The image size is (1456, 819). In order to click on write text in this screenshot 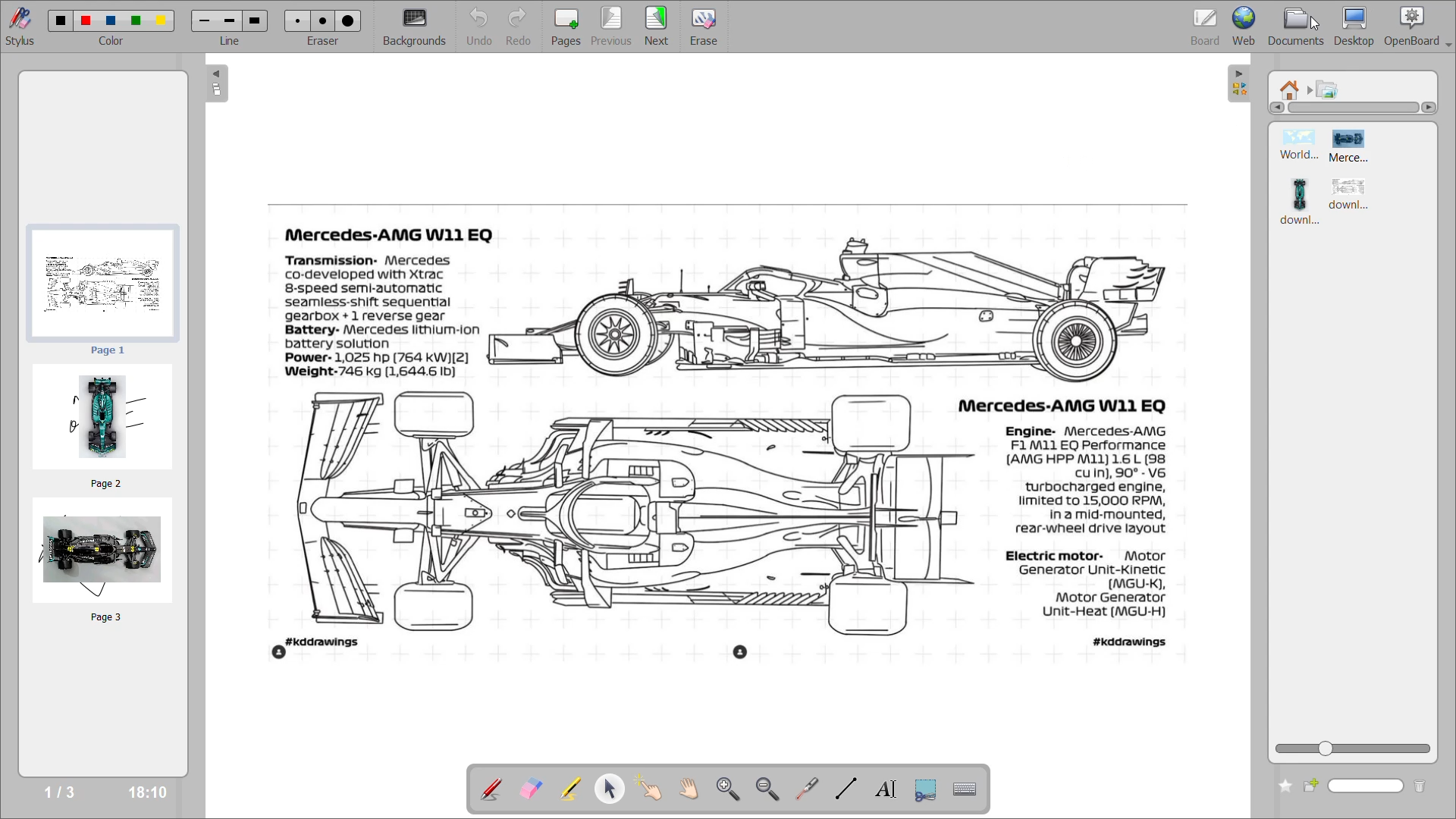, I will do `click(891, 787)`.